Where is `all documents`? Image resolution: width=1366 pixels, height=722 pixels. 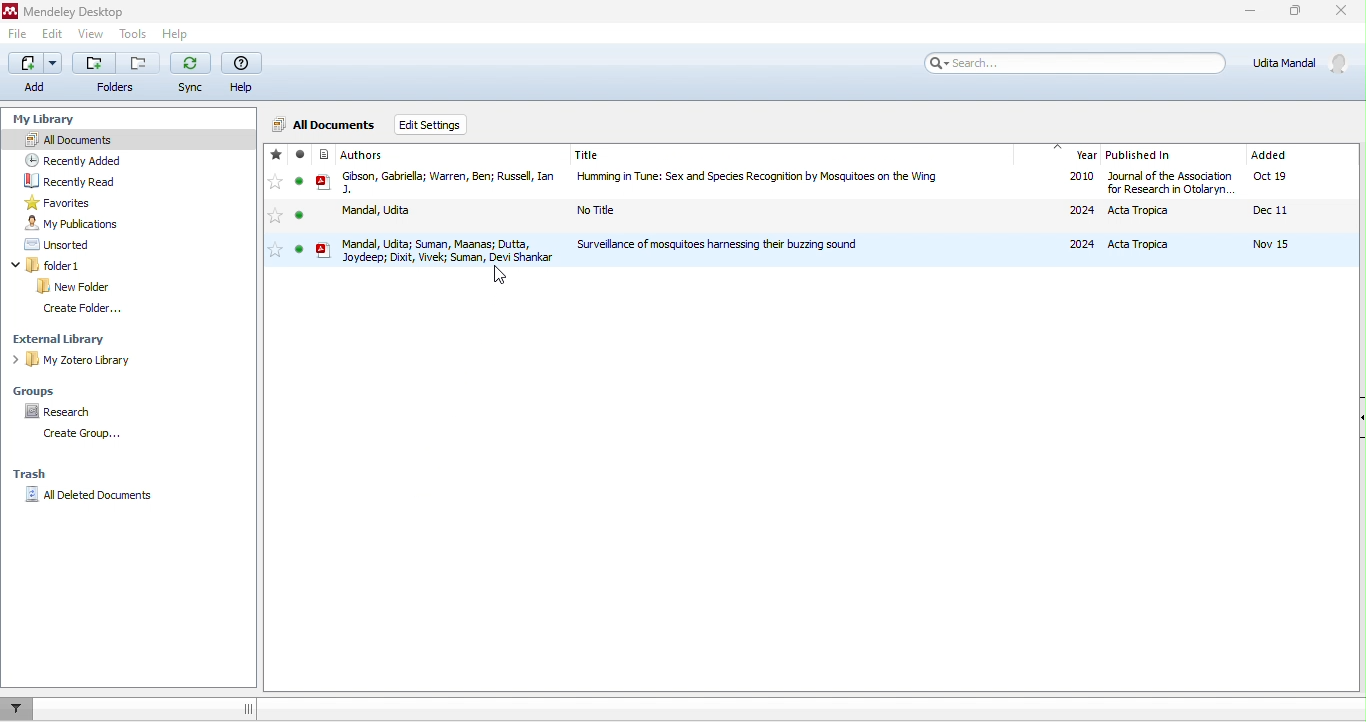
all documents is located at coordinates (326, 124).